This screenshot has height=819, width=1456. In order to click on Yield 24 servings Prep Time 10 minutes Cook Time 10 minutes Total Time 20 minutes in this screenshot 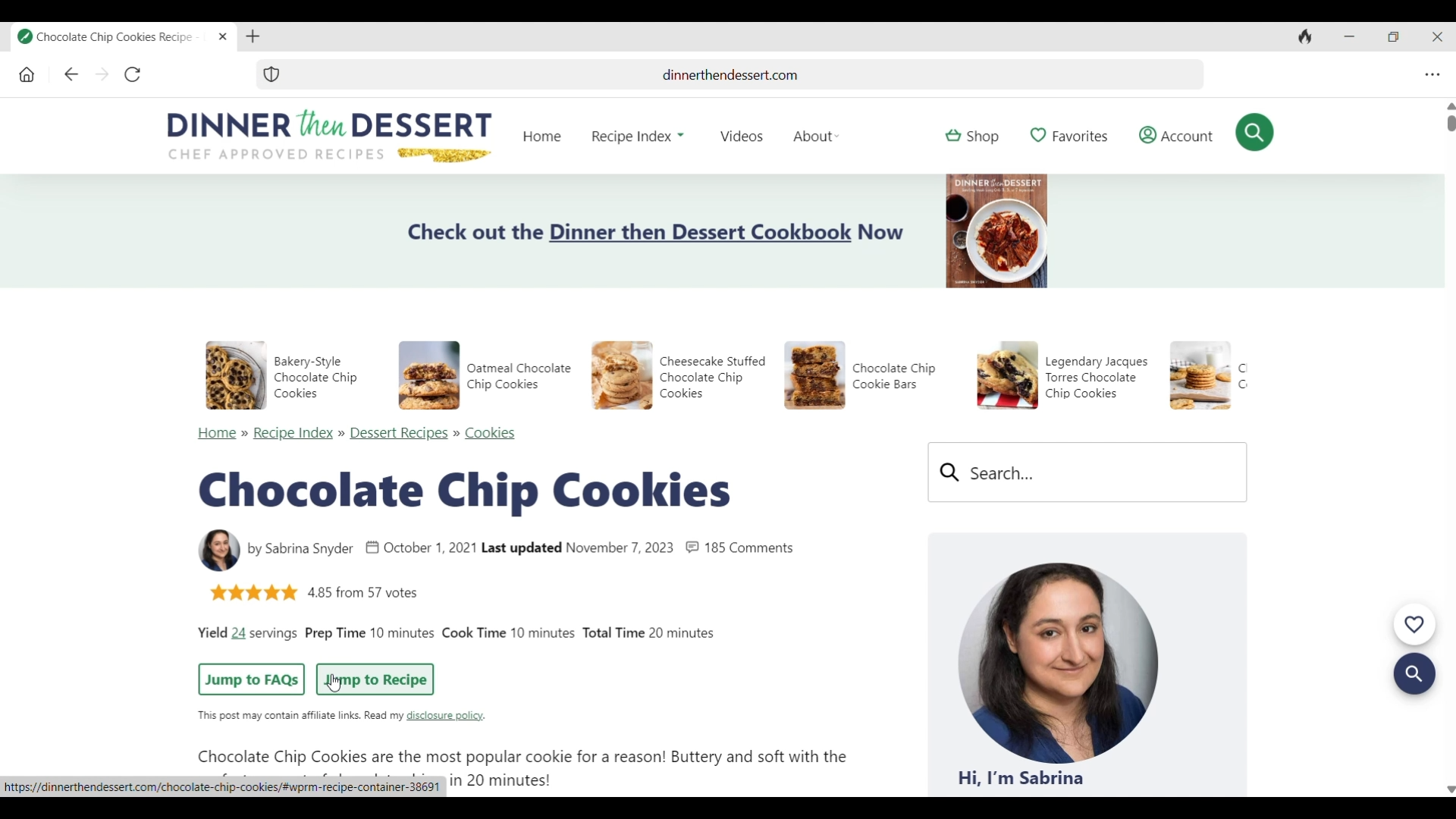, I will do `click(457, 635)`.